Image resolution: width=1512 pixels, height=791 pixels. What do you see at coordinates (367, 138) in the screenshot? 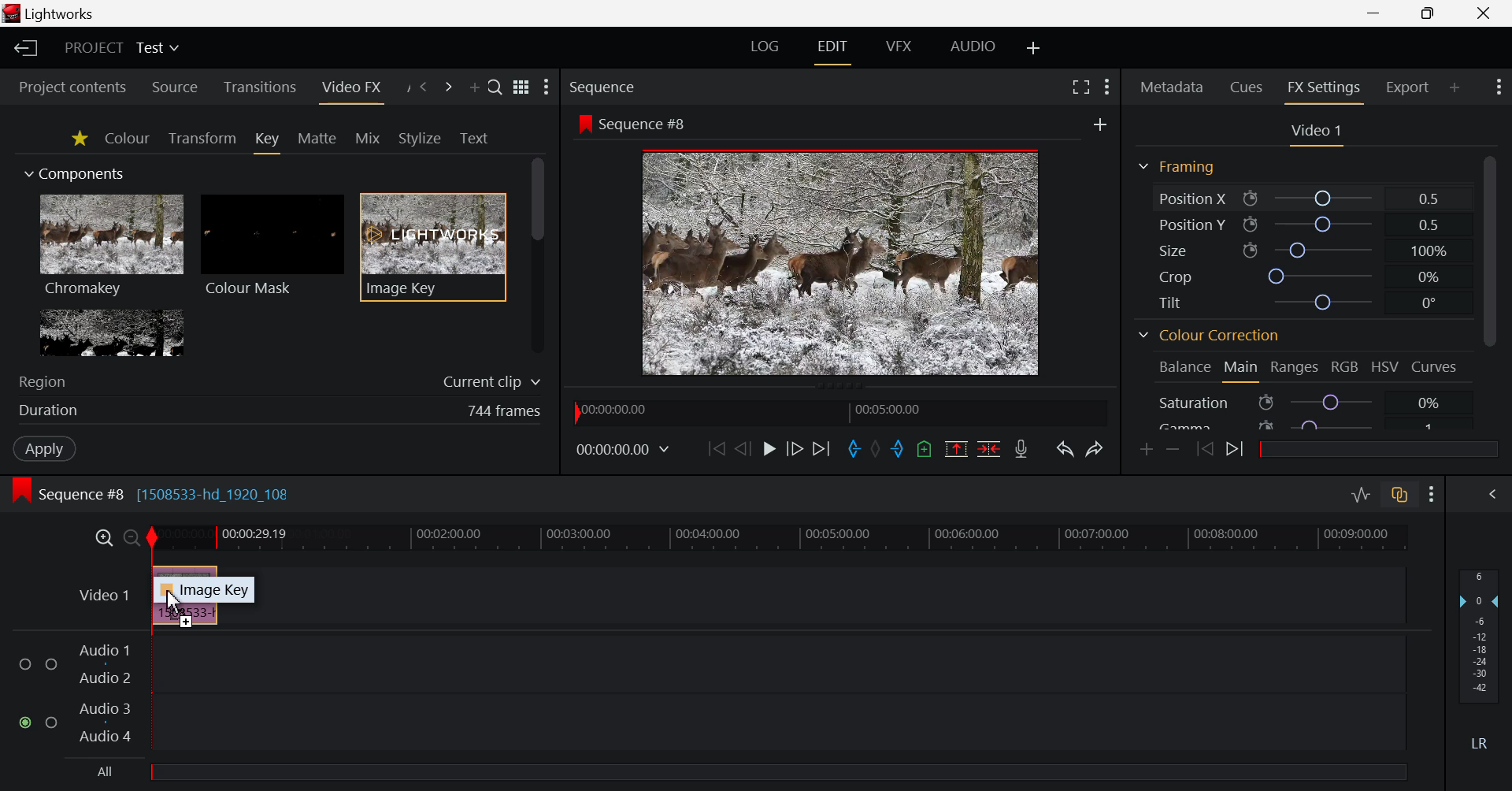
I see `Mix` at bounding box center [367, 138].